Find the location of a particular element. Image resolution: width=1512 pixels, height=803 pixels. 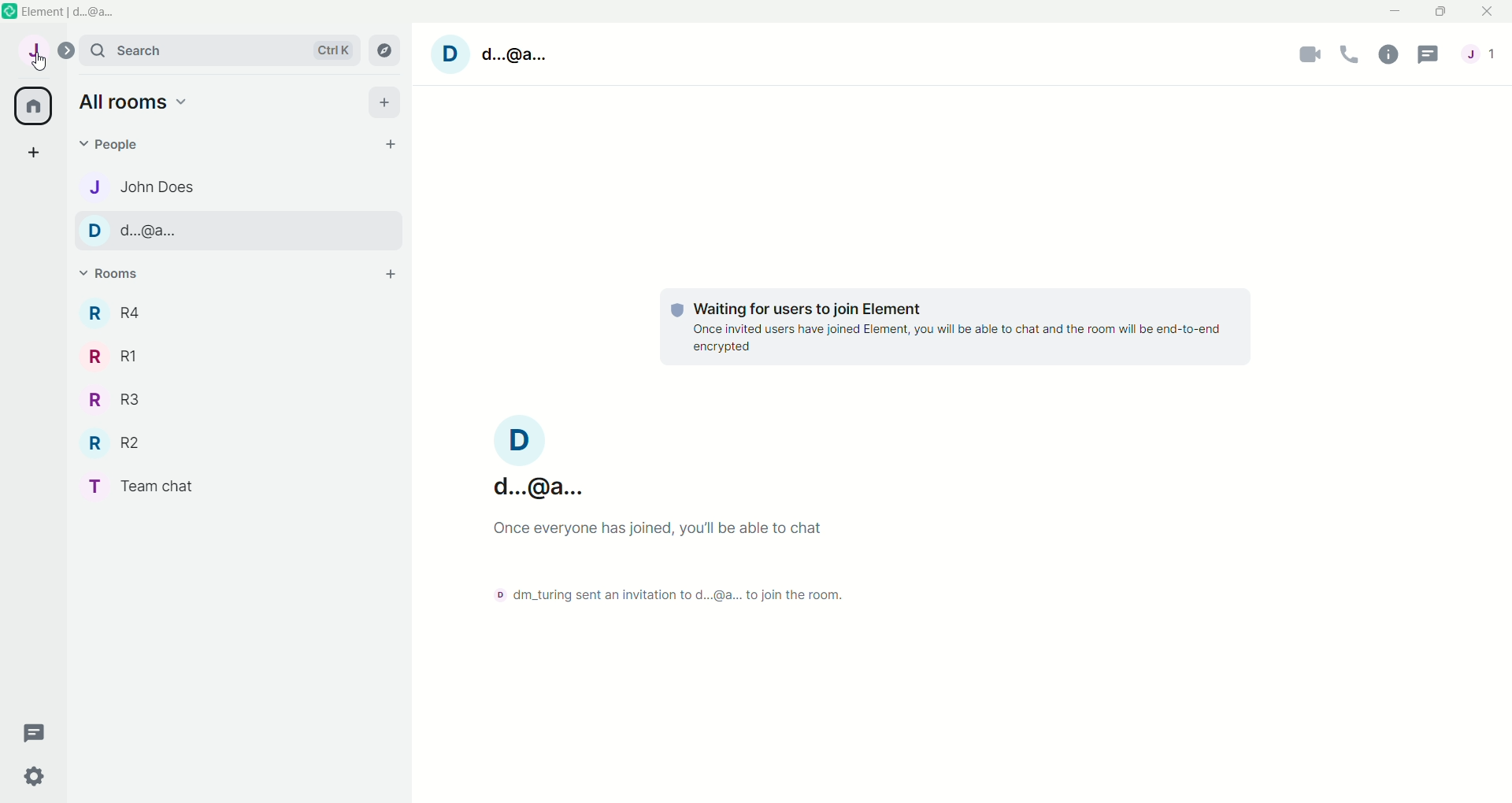

People is located at coordinates (153, 143).